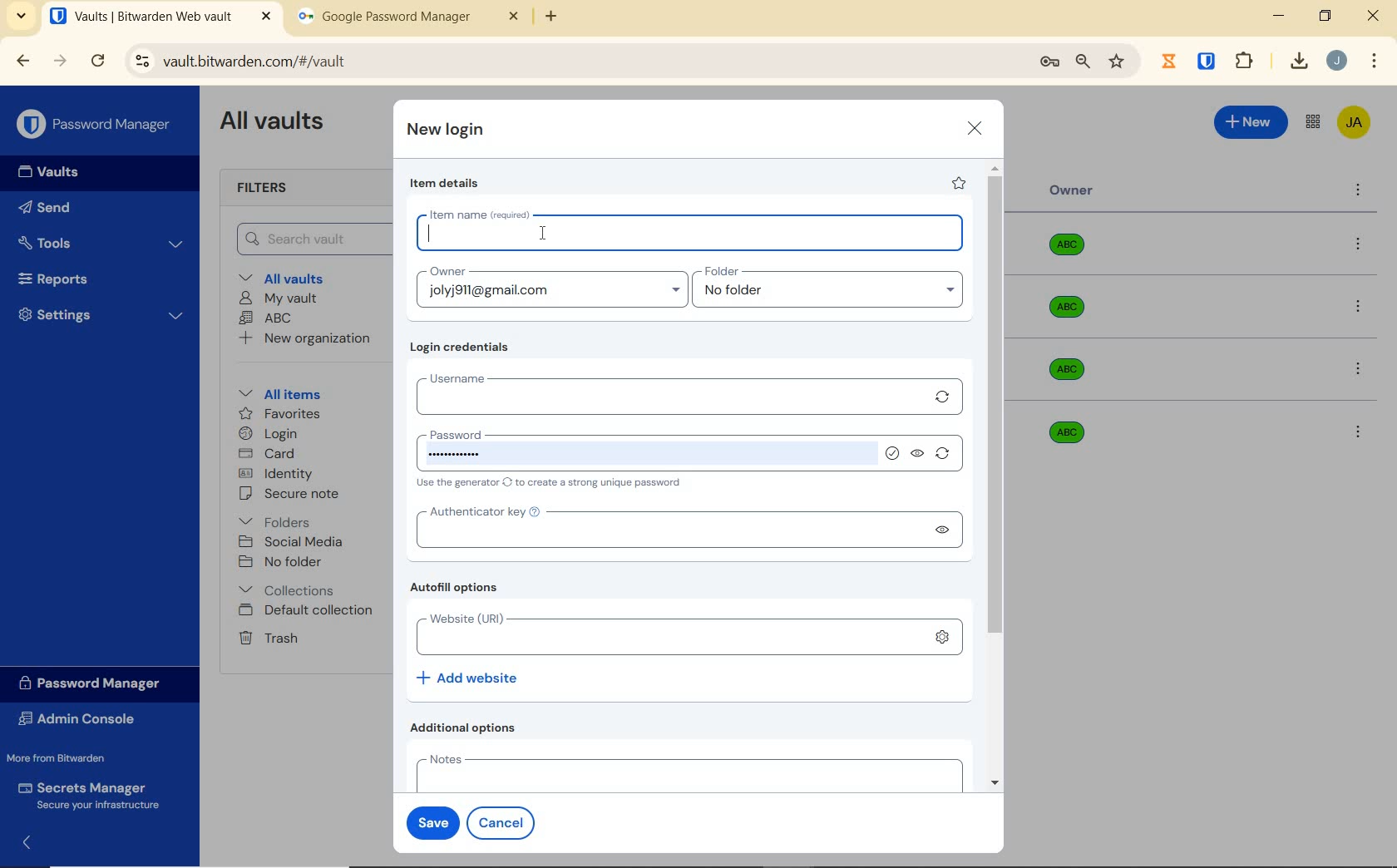  What do you see at coordinates (276, 474) in the screenshot?
I see `identity` at bounding box center [276, 474].